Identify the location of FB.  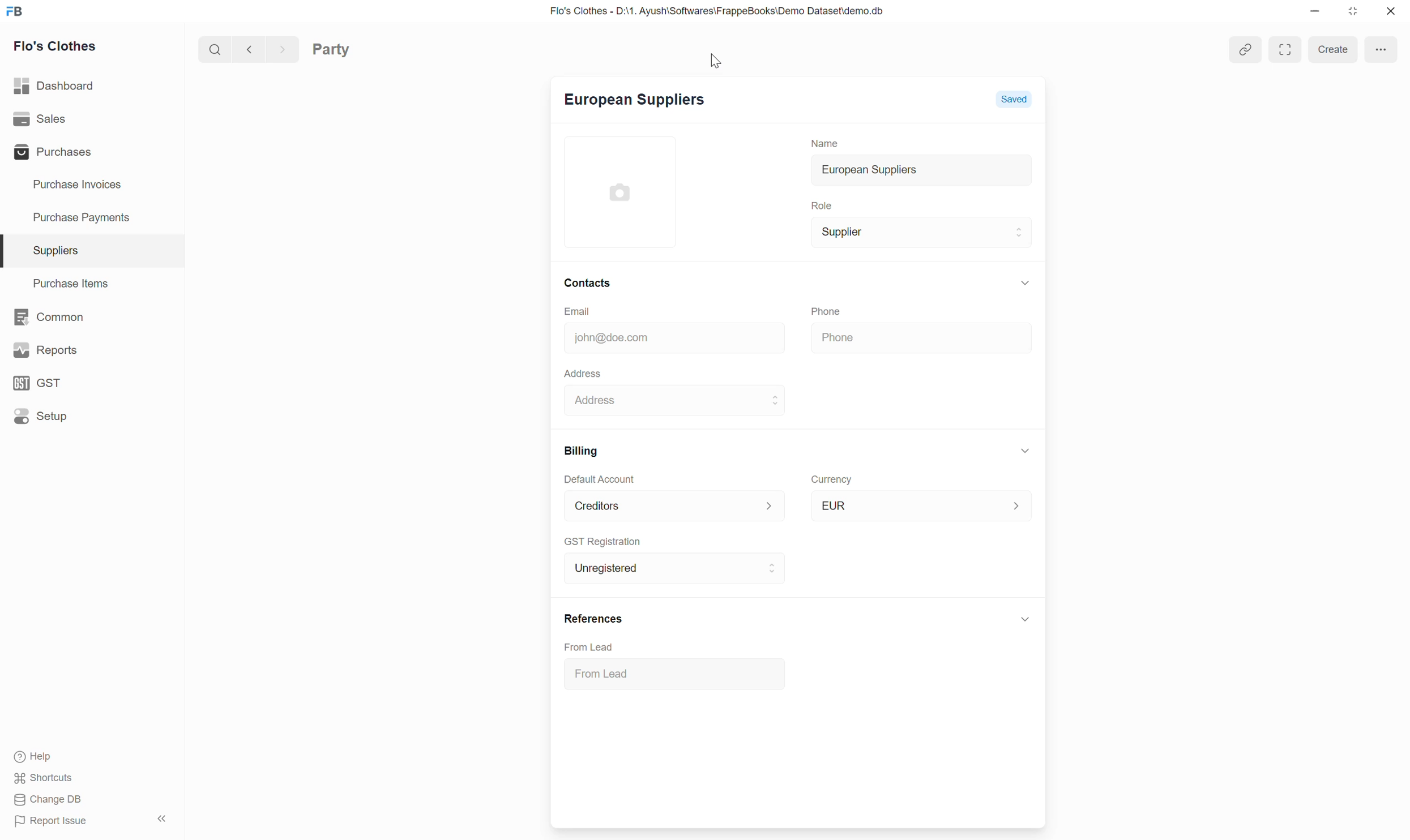
(15, 11).